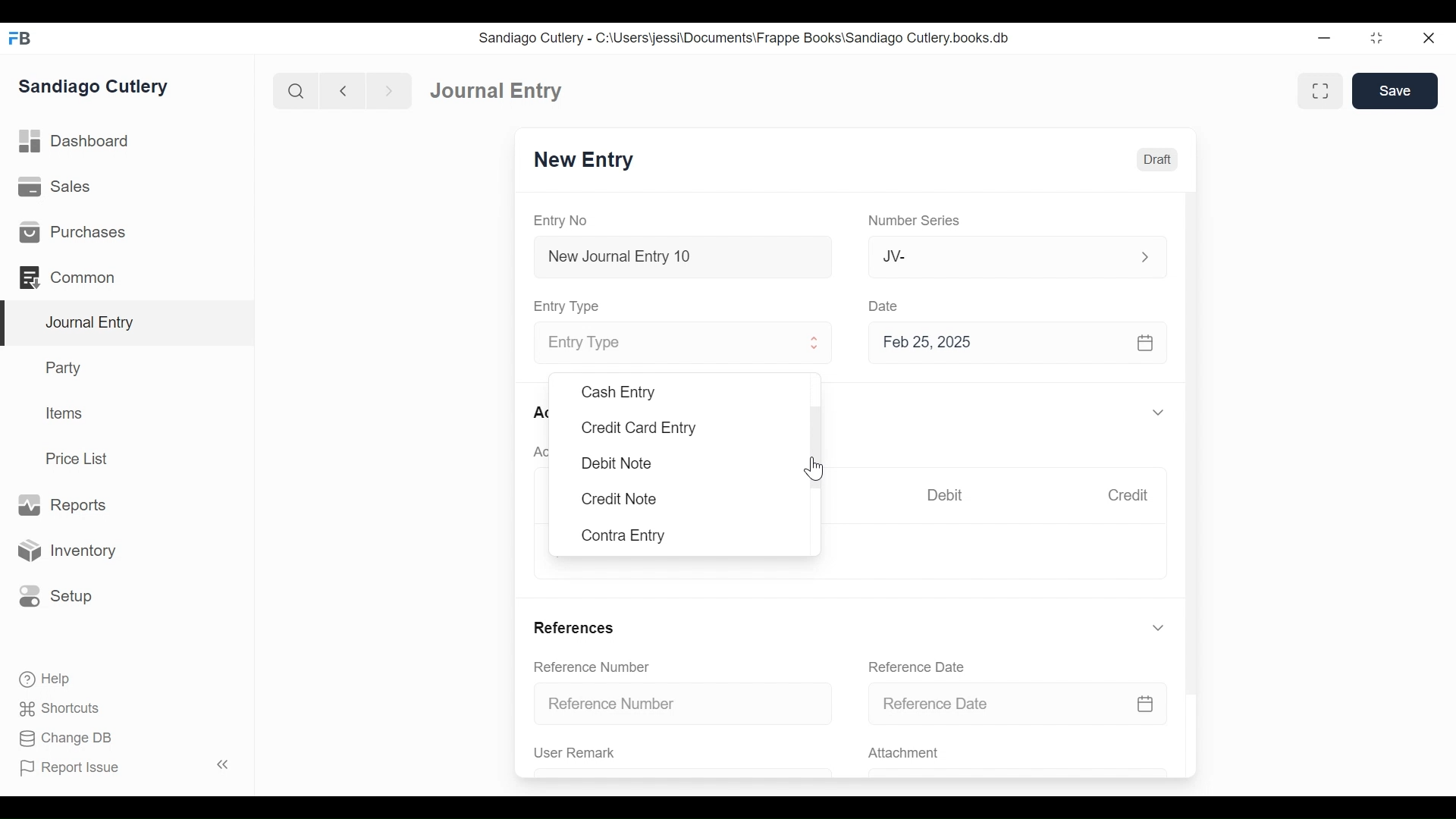 The width and height of the screenshot is (1456, 819). What do you see at coordinates (494, 92) in the screenshot?
I see `Journal Entry` at bounding box center [494, 92].